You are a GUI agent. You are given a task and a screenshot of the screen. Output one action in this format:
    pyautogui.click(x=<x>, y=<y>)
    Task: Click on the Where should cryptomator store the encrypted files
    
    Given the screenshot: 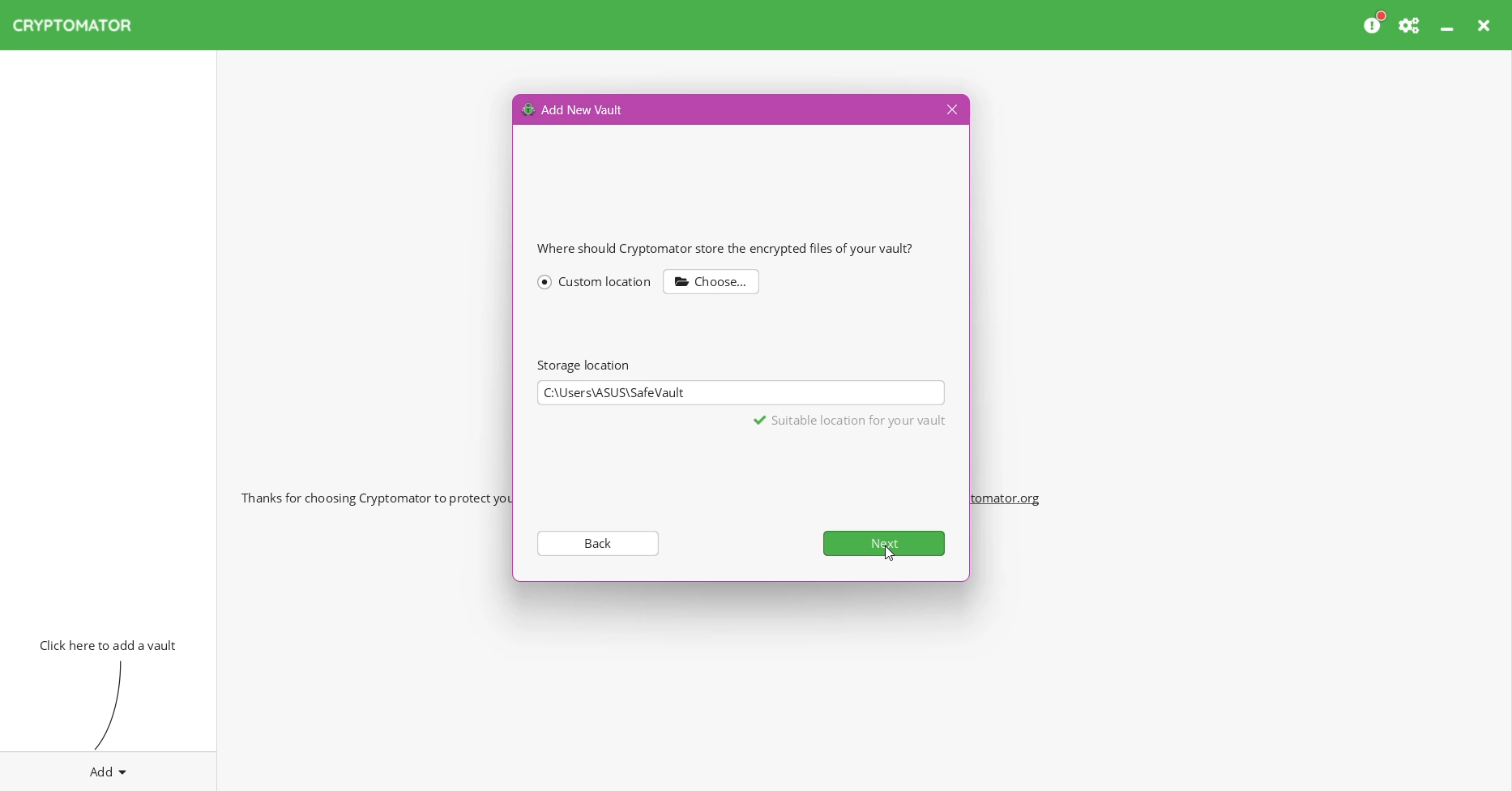 What is the action you would take?
    pyautogui.click(x=733, y=248)
    